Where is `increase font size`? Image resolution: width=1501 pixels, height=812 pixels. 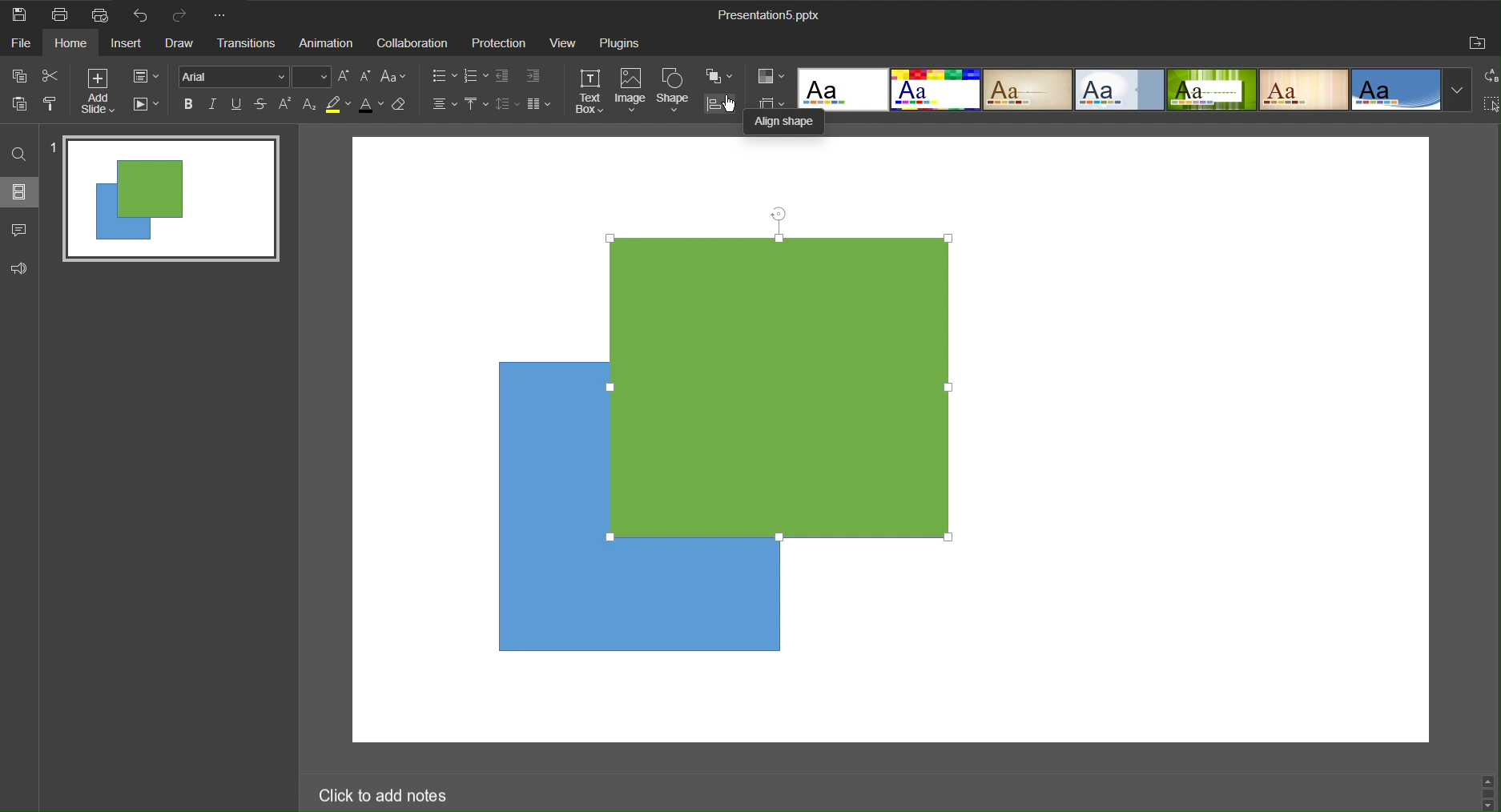 increase font size is located at coordinates (367, 75).